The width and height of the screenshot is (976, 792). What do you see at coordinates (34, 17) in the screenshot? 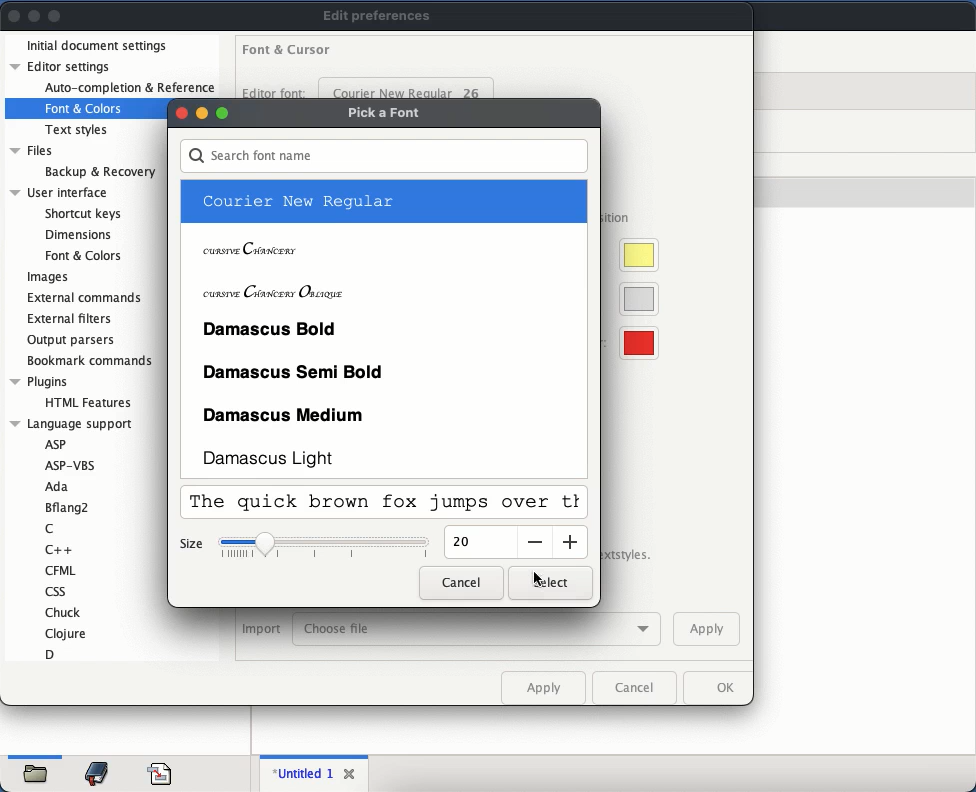
I see `minimize` at bounding box center [34, 17].